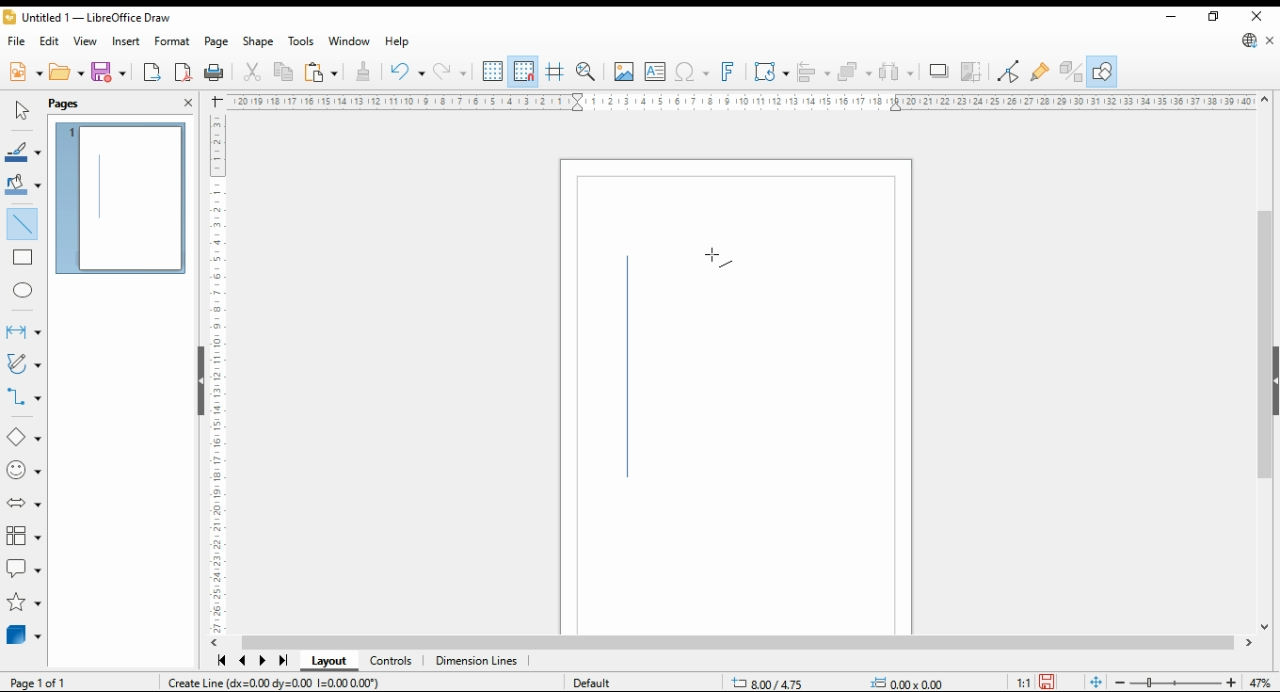 This screenshot has width=1280, height=692. What do you see at coordinates (25, 471) in the screenshot?
I see `symbol shapes` at bounding box center [25, 471].